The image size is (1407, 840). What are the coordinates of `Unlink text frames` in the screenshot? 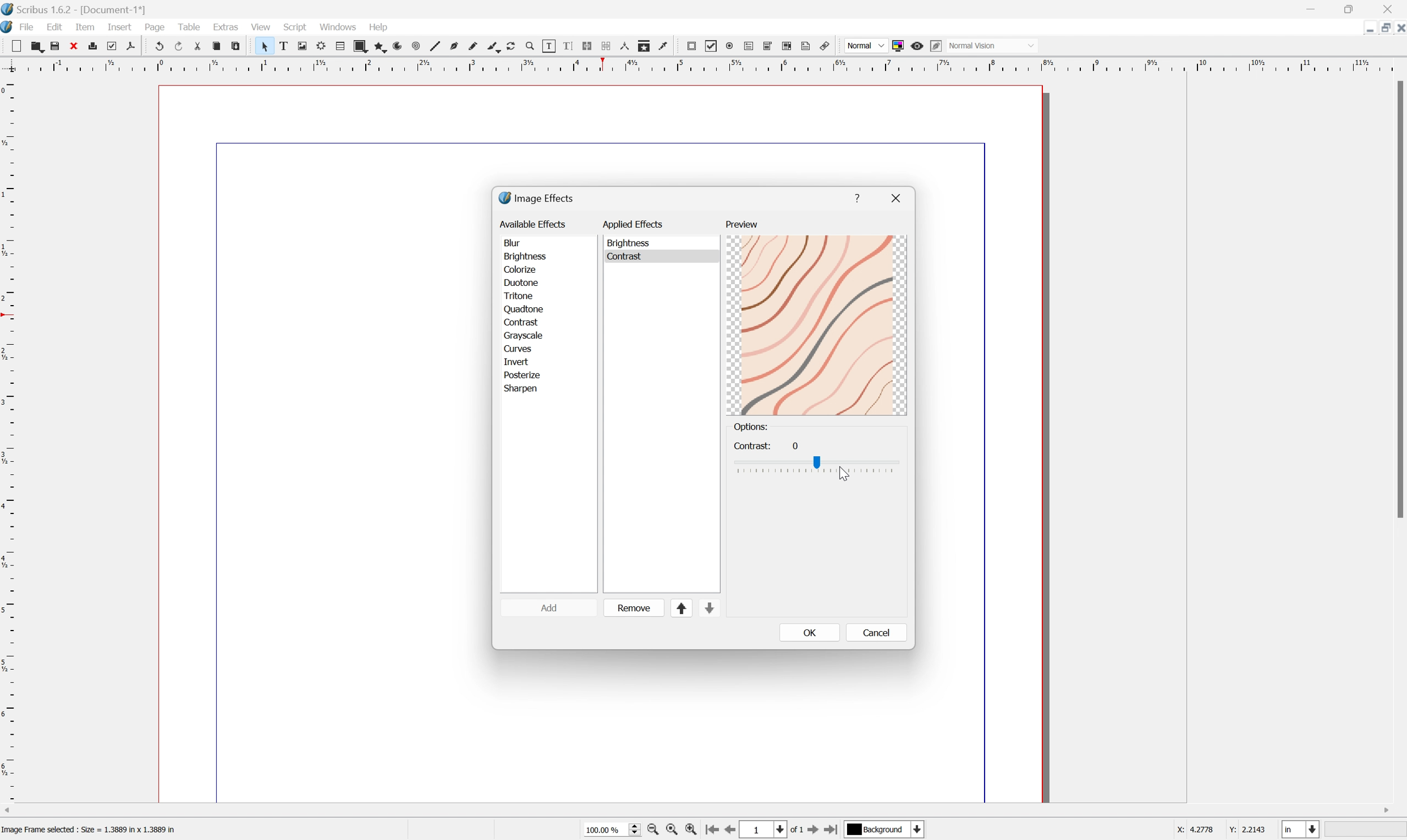 It's located at (608, 46).